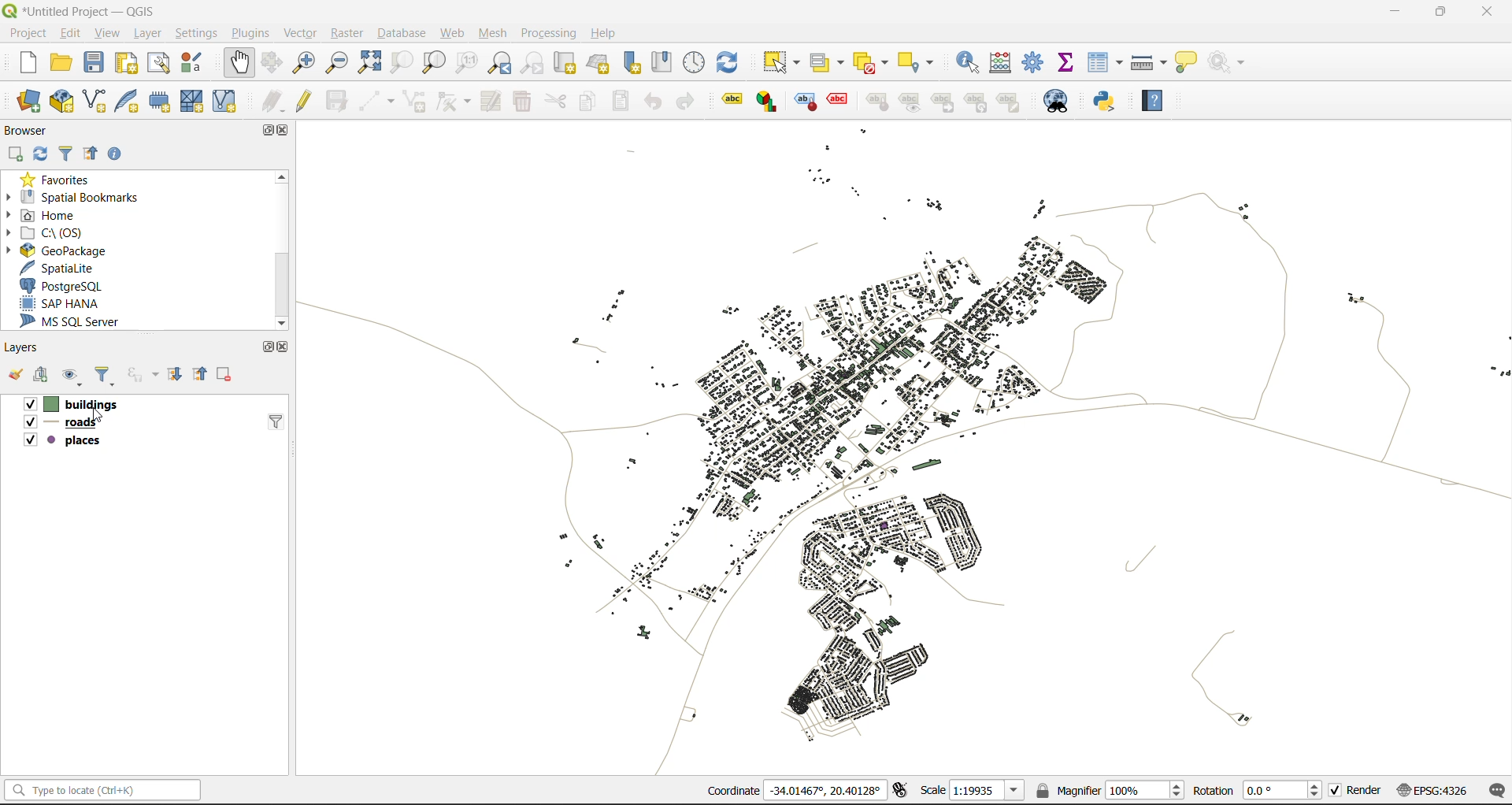 The width and height of the screenshot is (1512, 805). Describe the element at coordinates (907, 449) in the screenshot. I see `map` at that location.